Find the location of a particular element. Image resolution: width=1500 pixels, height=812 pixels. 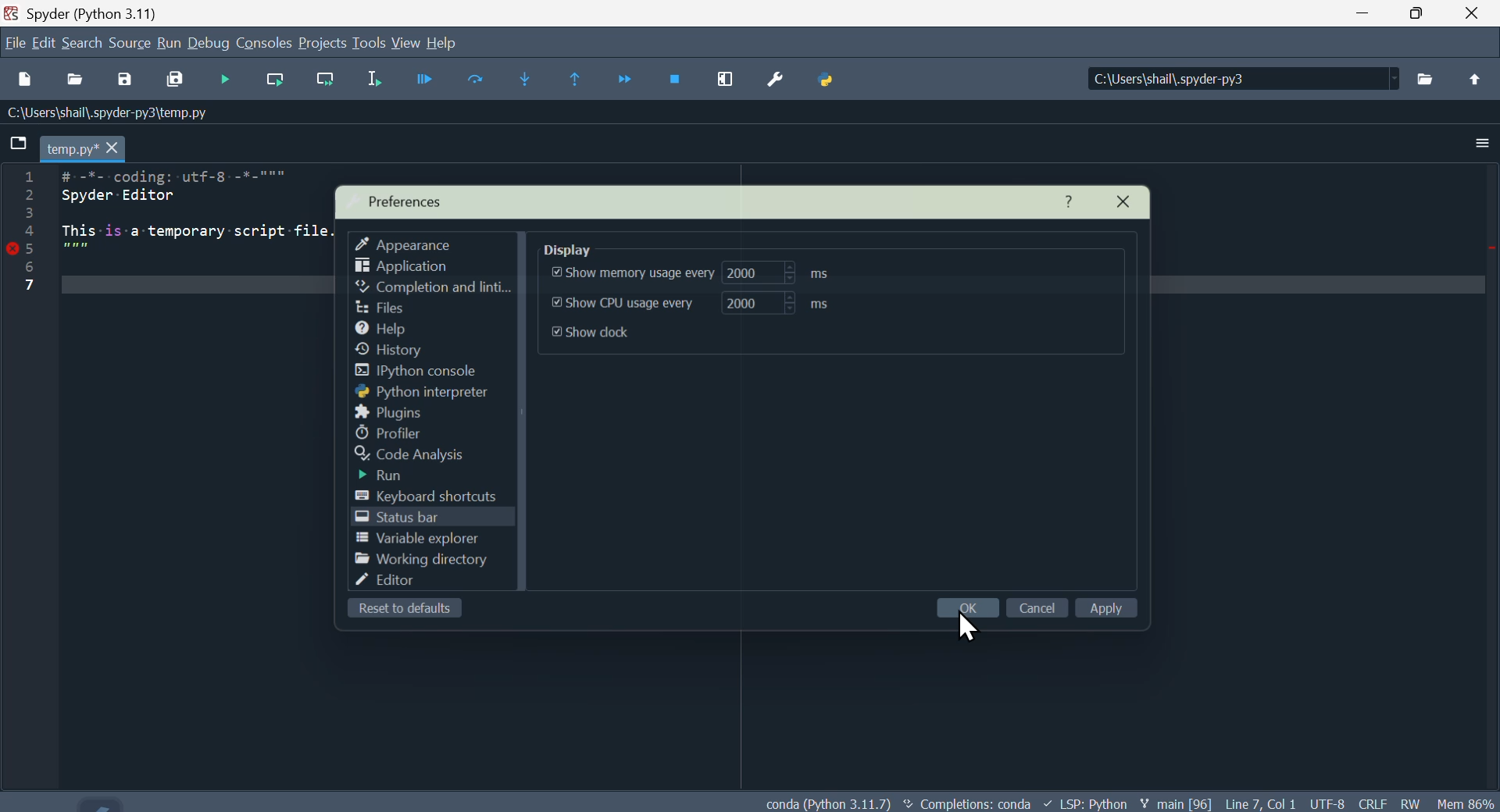

Open is located at coordinates (77, 79).